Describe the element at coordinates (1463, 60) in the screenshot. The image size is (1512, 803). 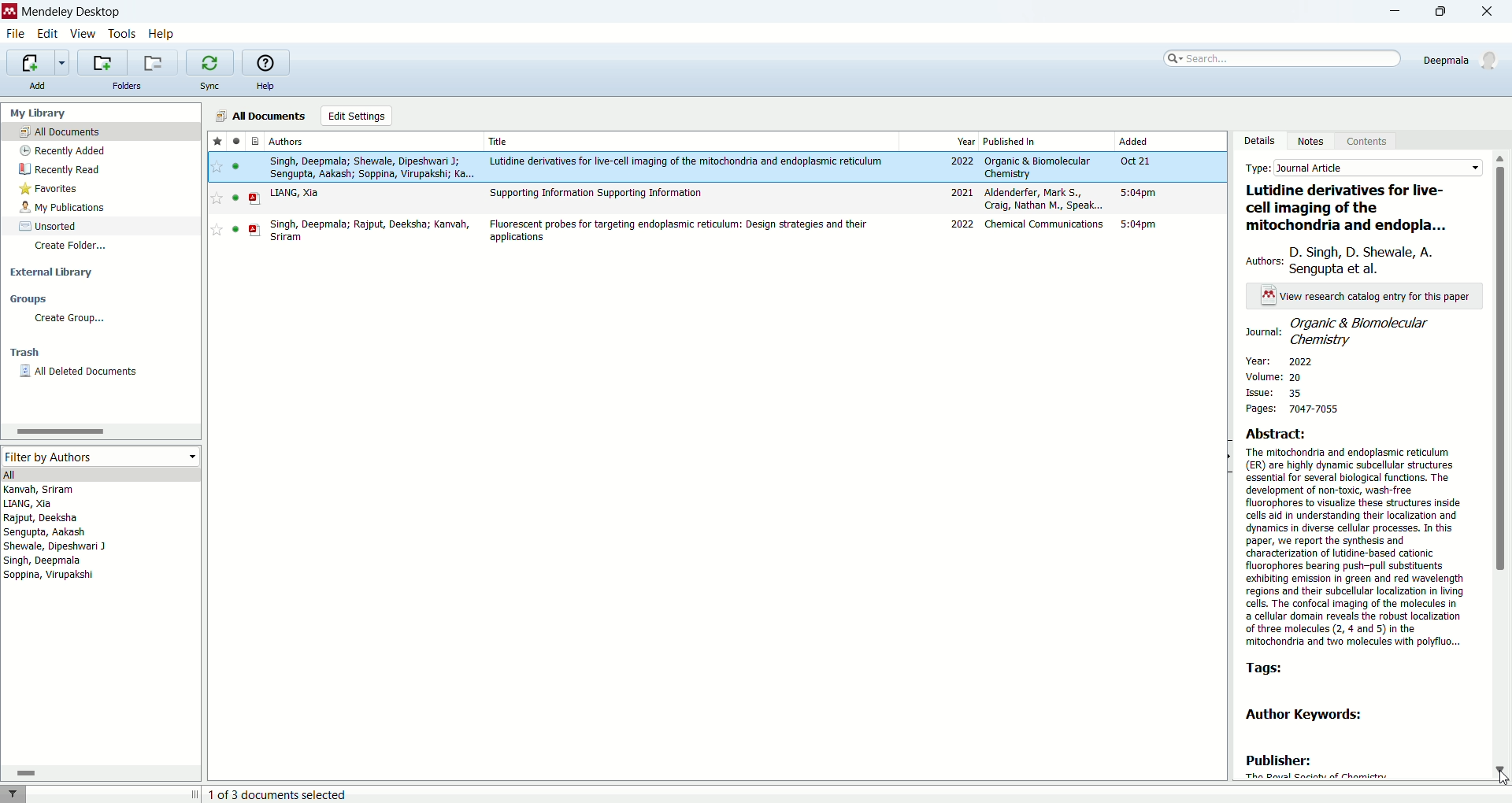
I see `deepmala` at that location.